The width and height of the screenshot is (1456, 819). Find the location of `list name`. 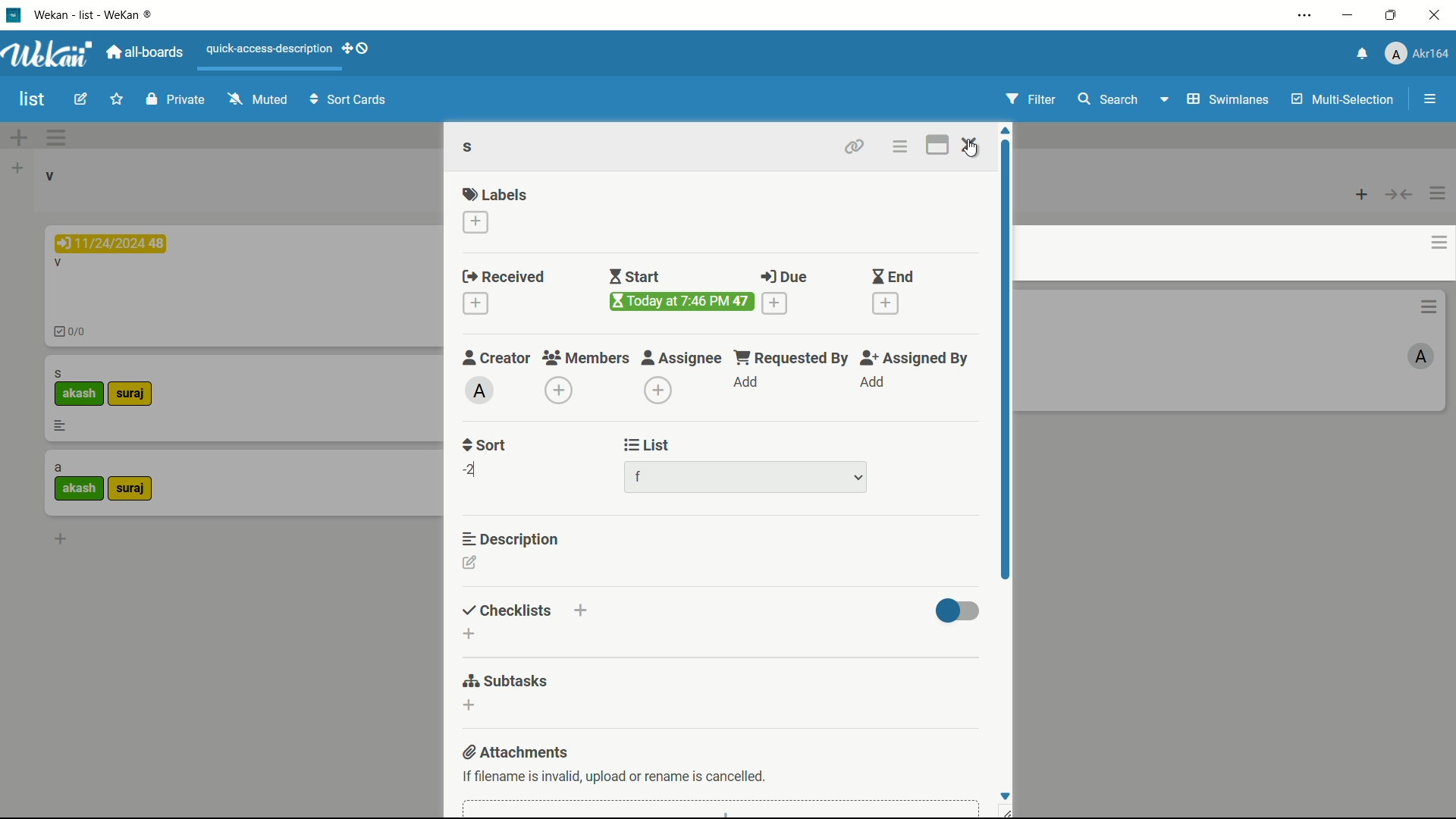

list name is located at coordinates (644, 479).